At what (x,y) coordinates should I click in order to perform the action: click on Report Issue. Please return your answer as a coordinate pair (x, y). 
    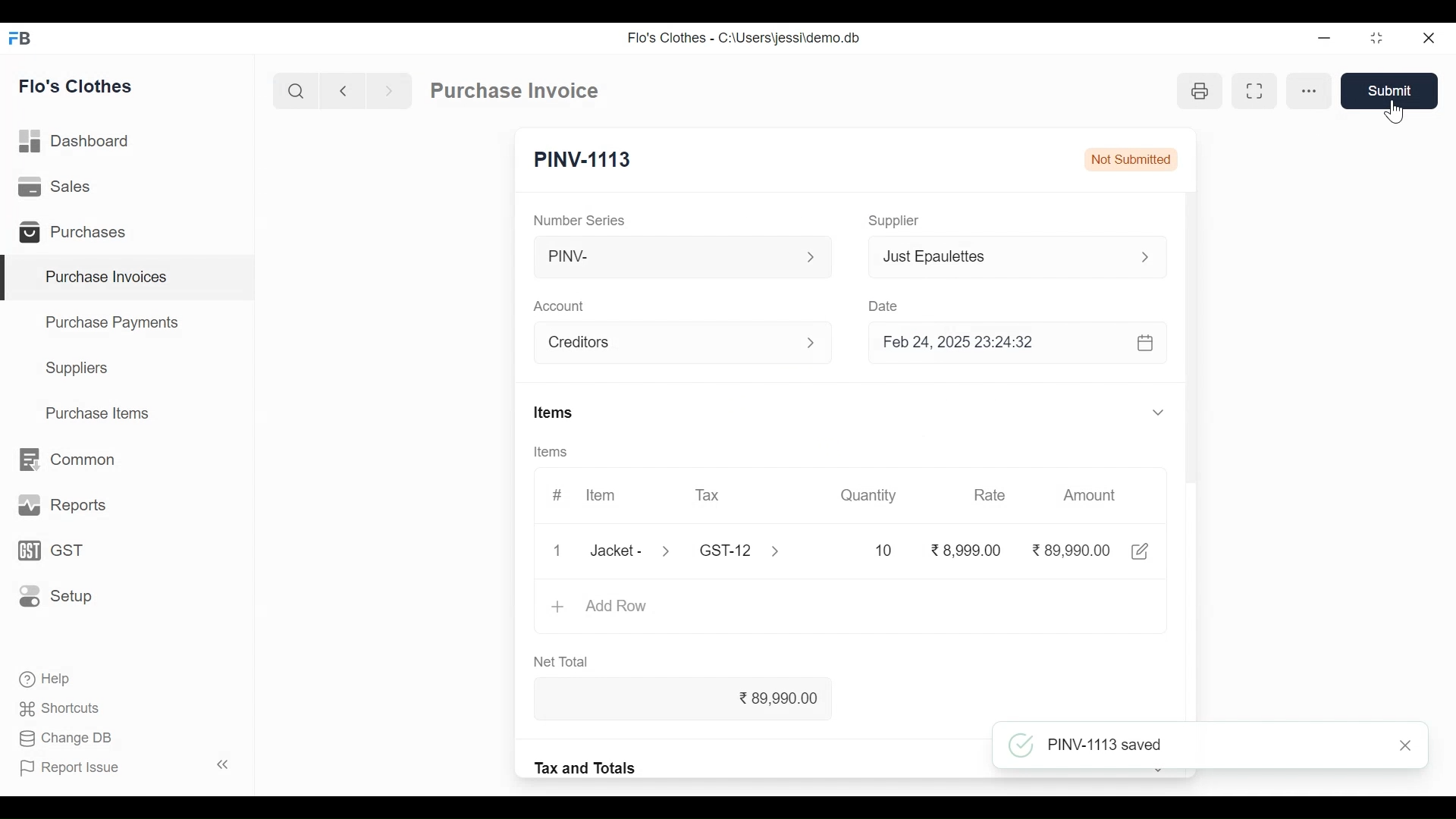
    Looking at the image, I should click on (126, 766).